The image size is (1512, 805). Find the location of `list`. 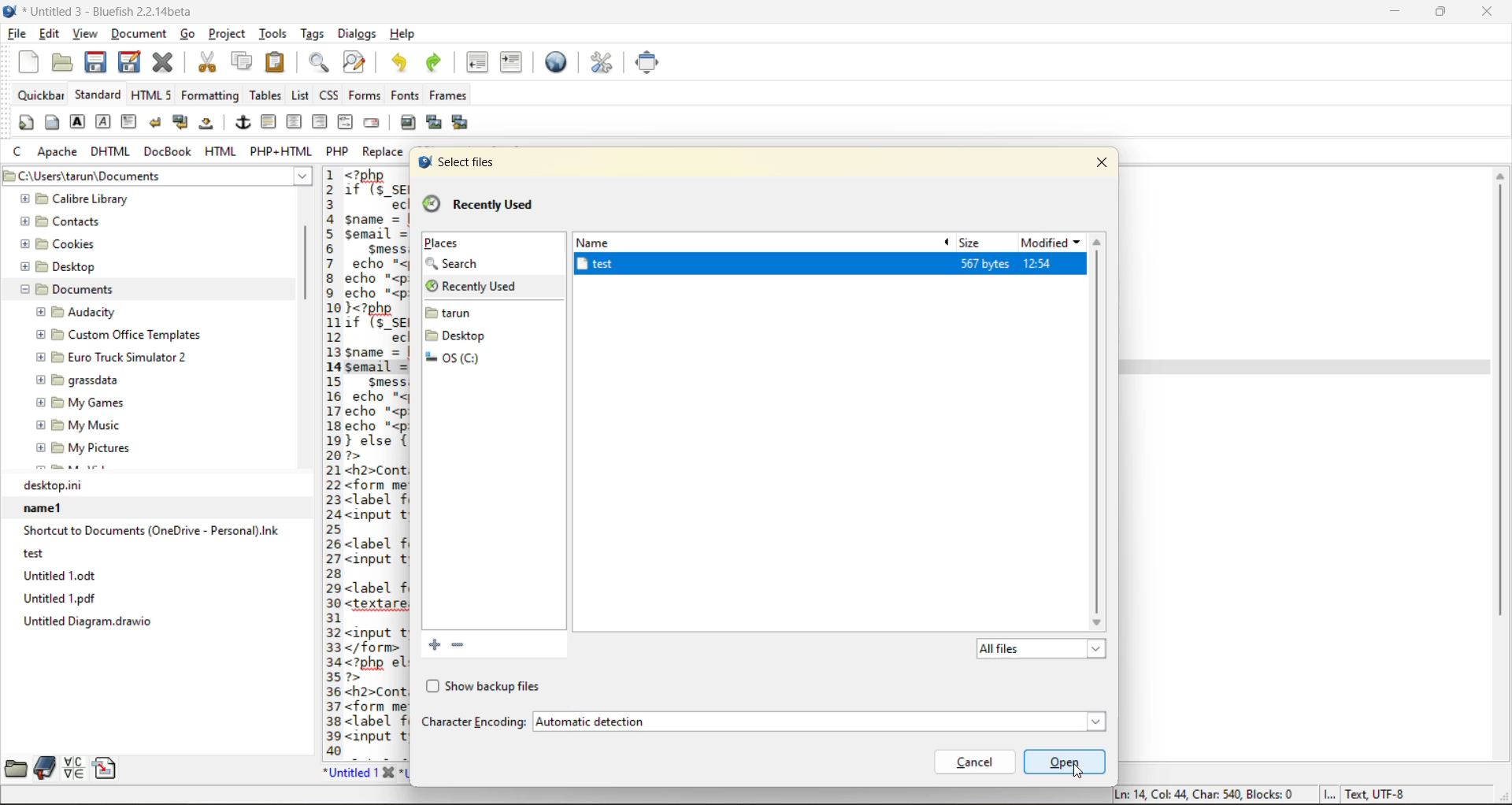

list is located at coordinates (301, 96).